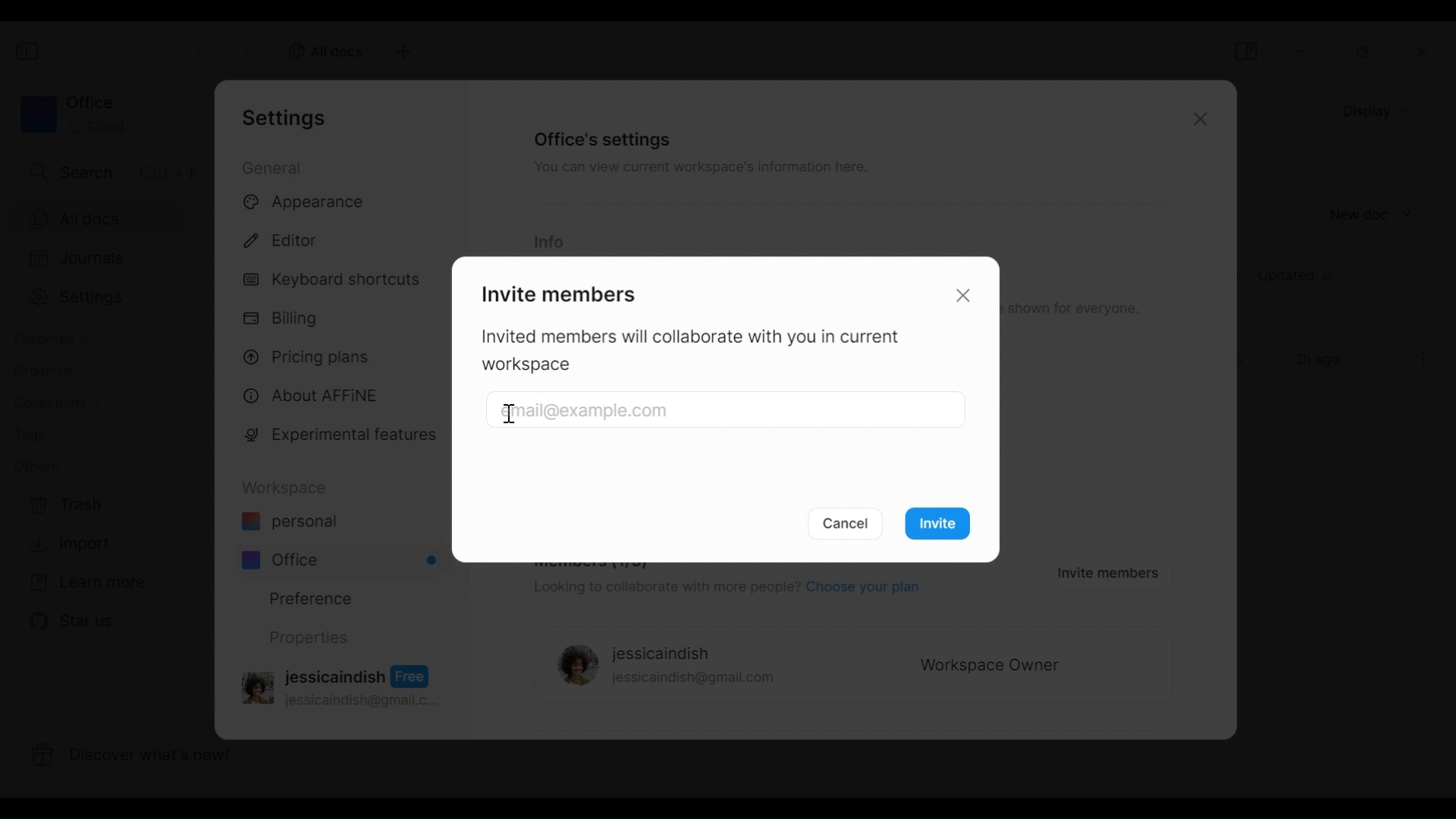  Describe the element at coordinates (69, 621) in the screenshot. I see `Star us` at that location.